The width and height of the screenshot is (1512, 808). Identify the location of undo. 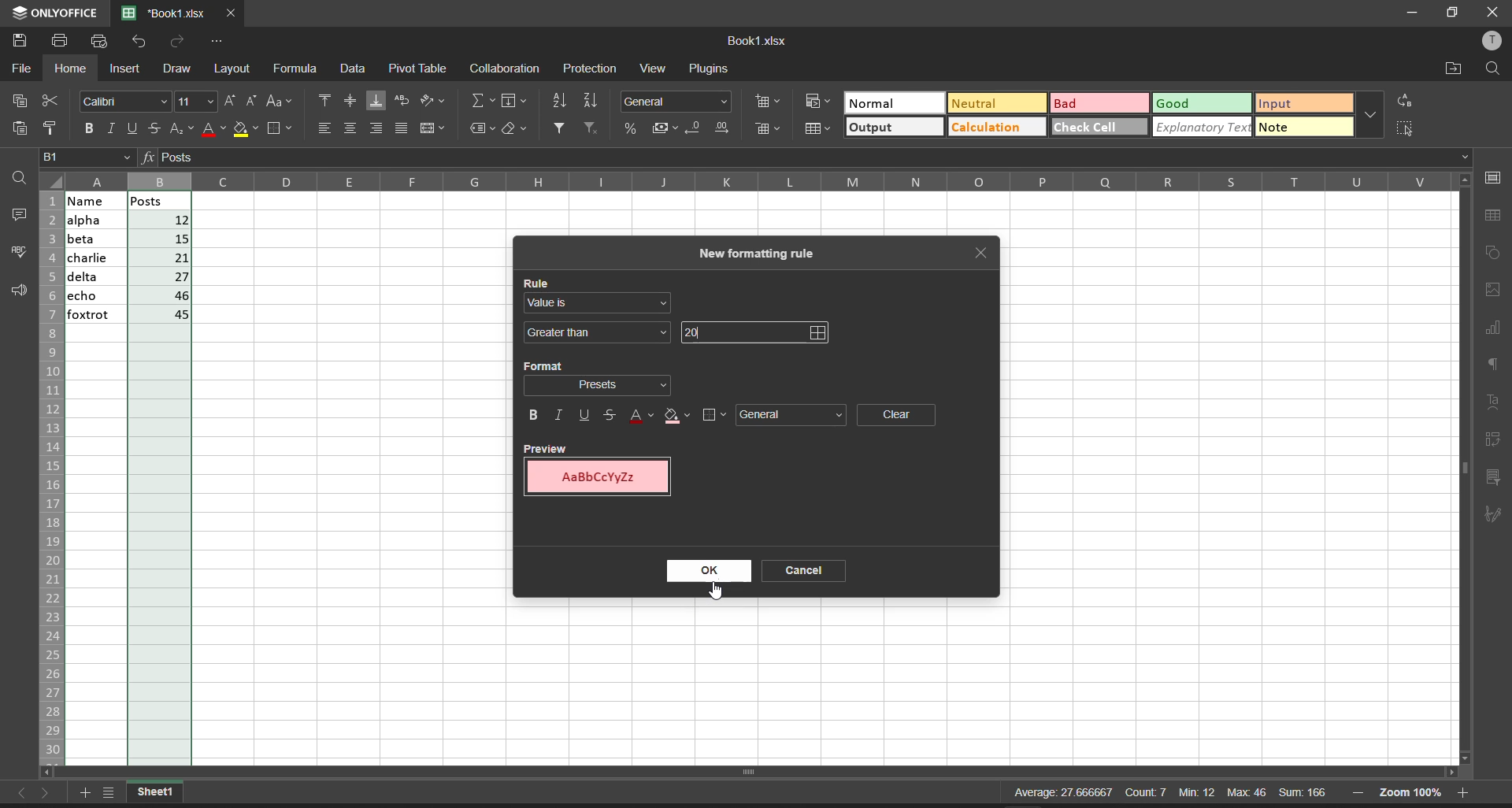
(140, 42).